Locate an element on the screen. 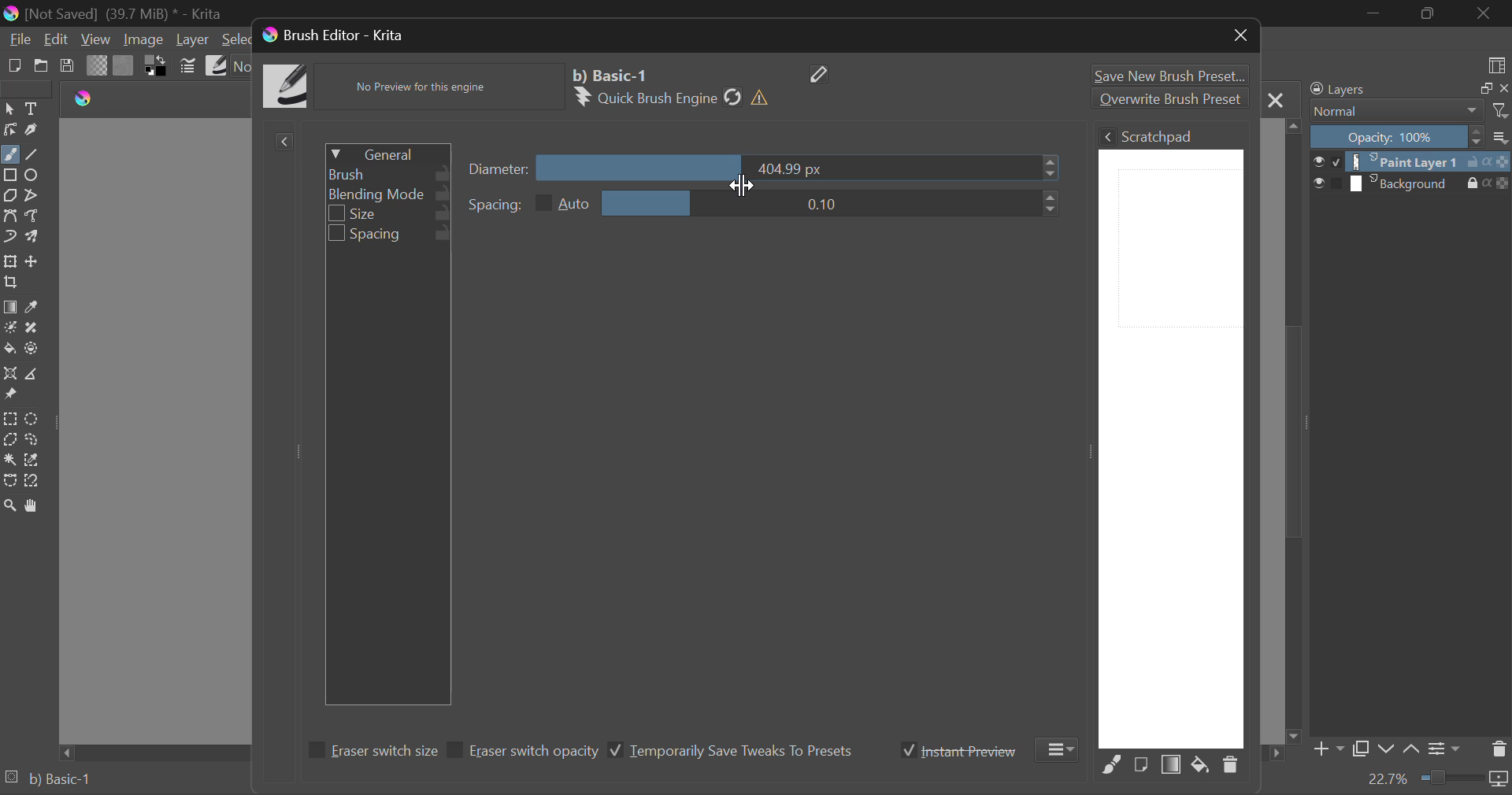  Paint Layer is located at coordinates (1412, 161).